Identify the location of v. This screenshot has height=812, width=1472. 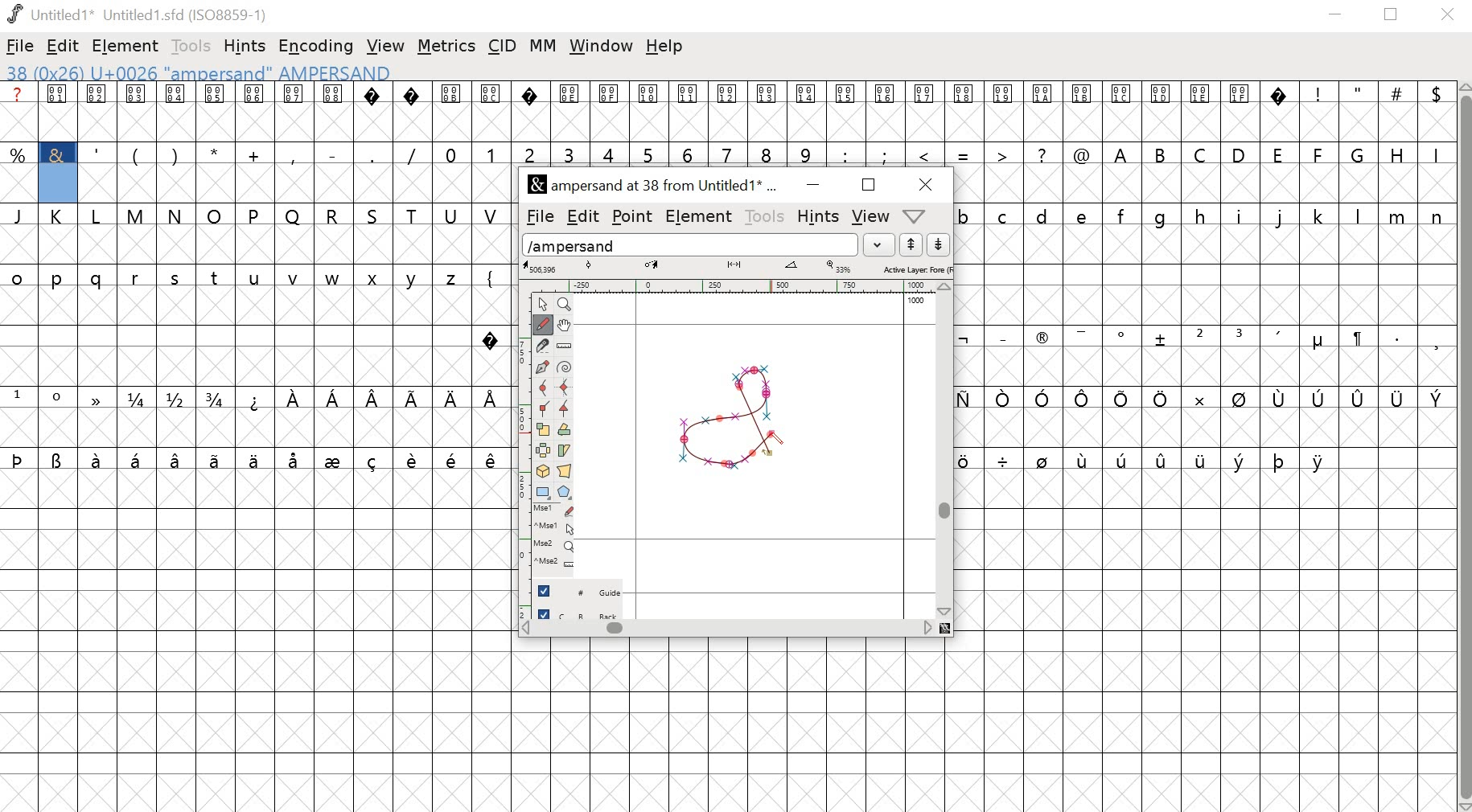
(294, 279).